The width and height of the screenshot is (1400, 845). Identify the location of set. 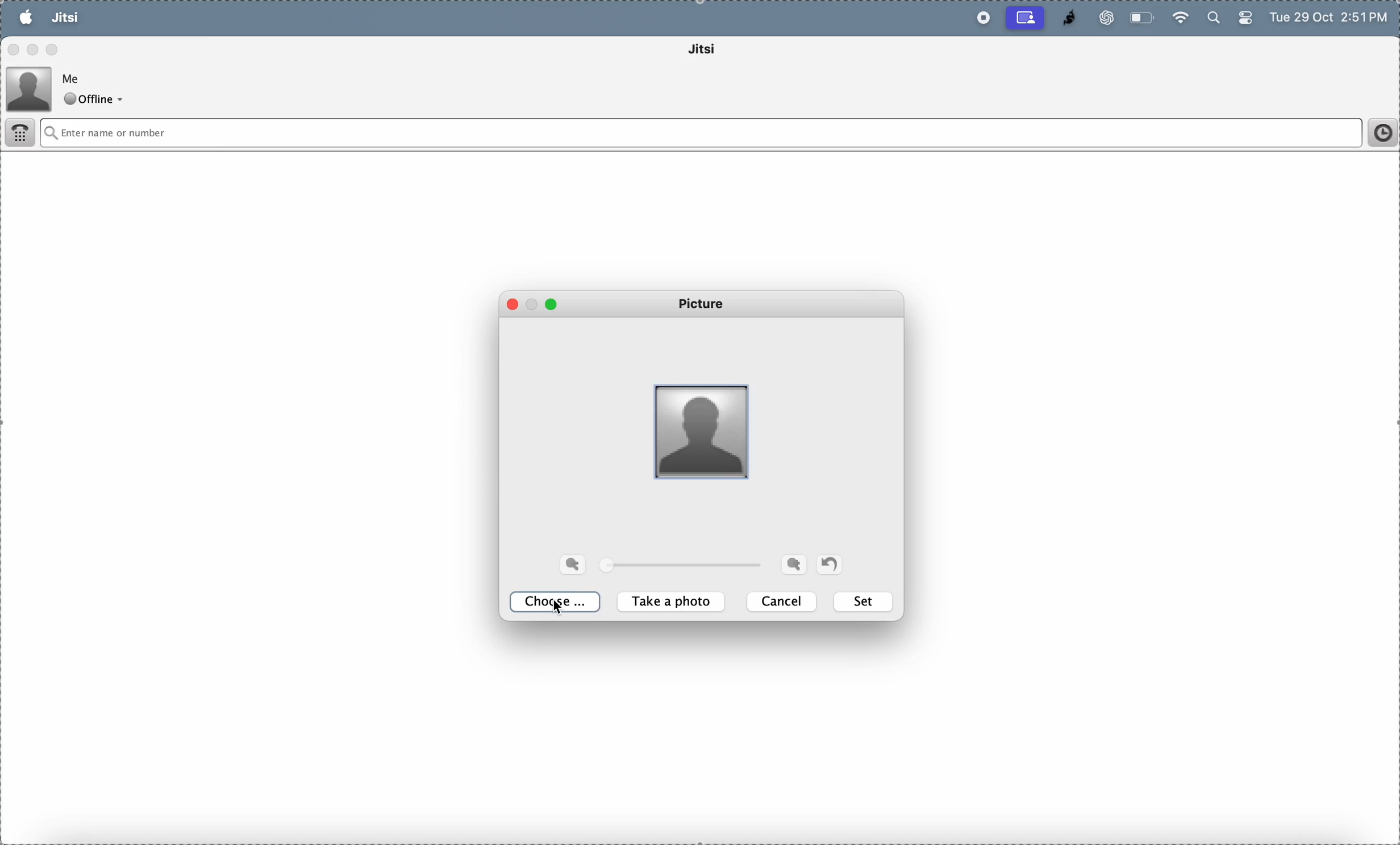
(865, 602).